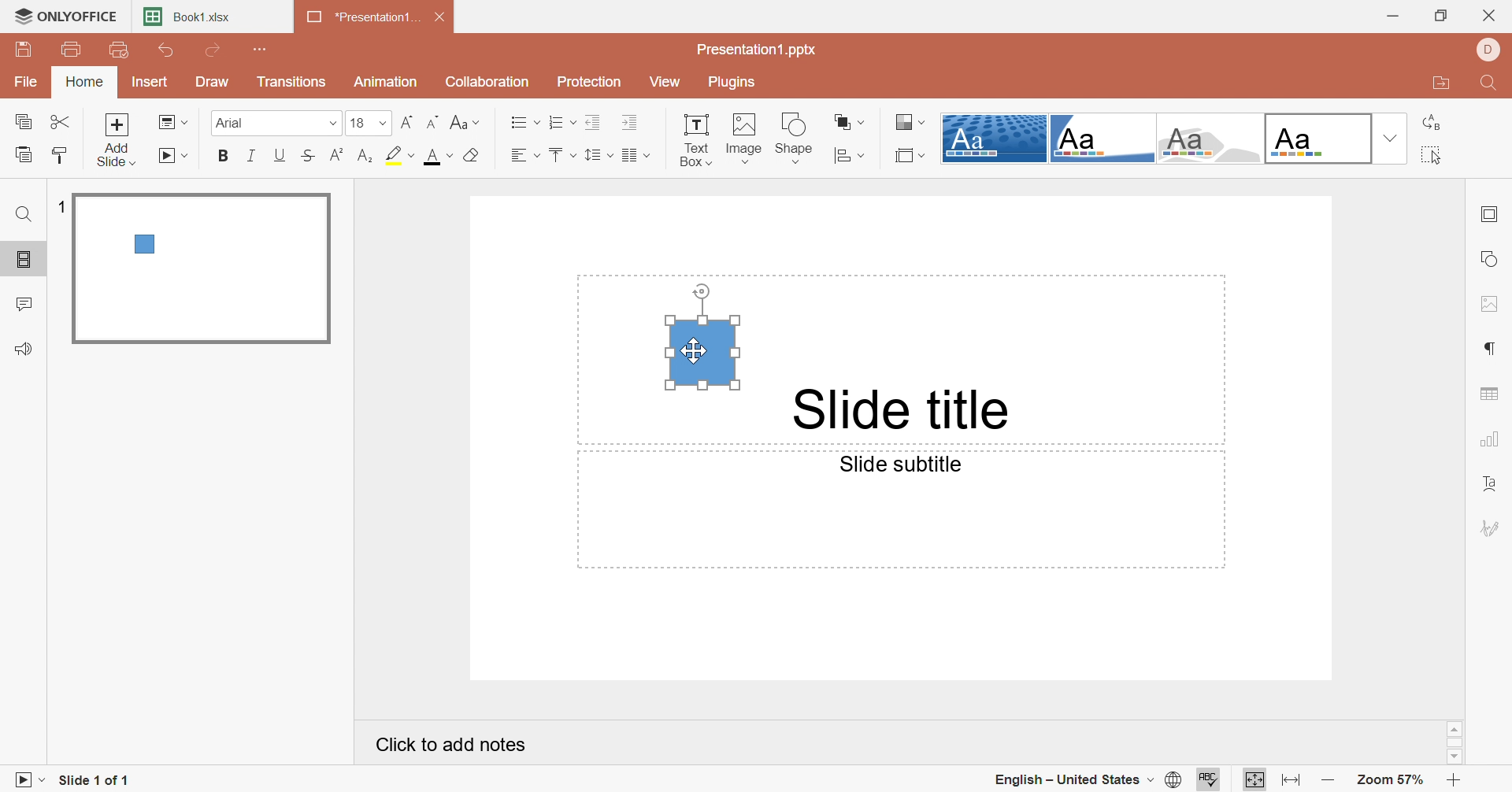 This screenshot has width=1512, height=792. What do you see at coordinates (1319, 136) in the screenshot?
I see `Official` at bounding box center [1319, 136].